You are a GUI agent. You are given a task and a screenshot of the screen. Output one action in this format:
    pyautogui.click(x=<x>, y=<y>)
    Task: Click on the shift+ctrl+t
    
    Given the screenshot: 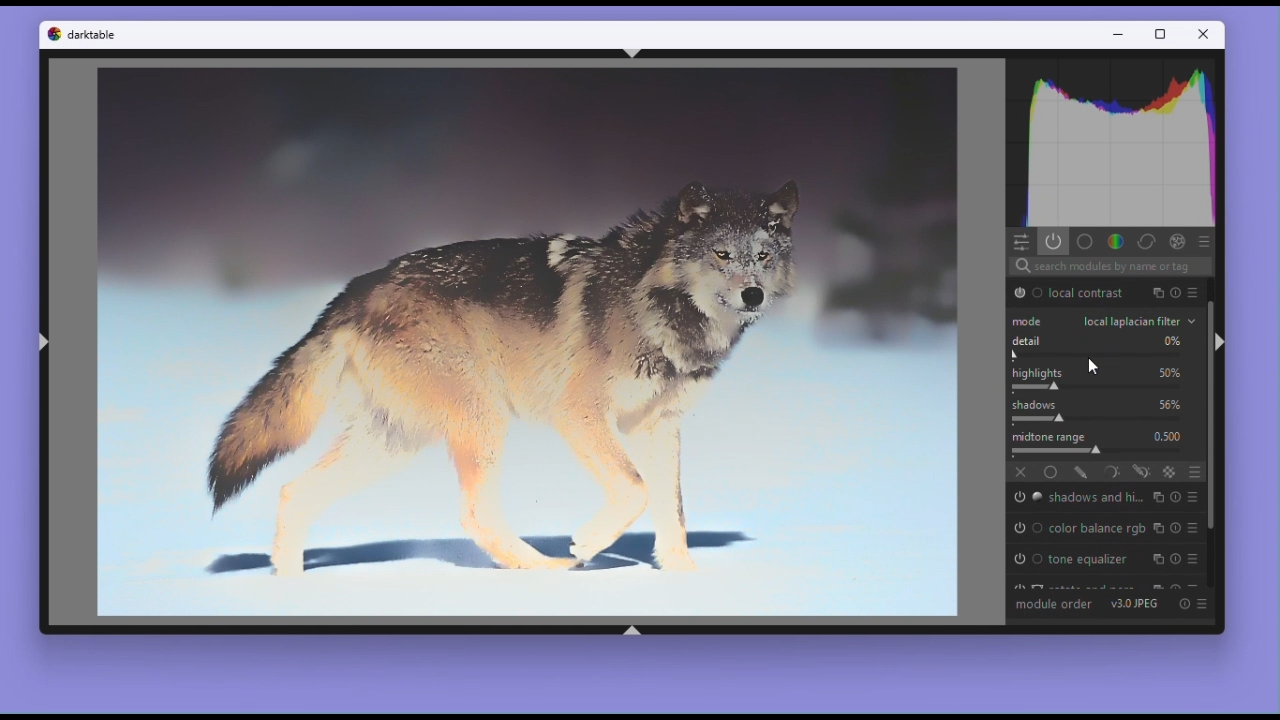 What is the action you would take?
    pyautogui.click(x=635, y=53)
    